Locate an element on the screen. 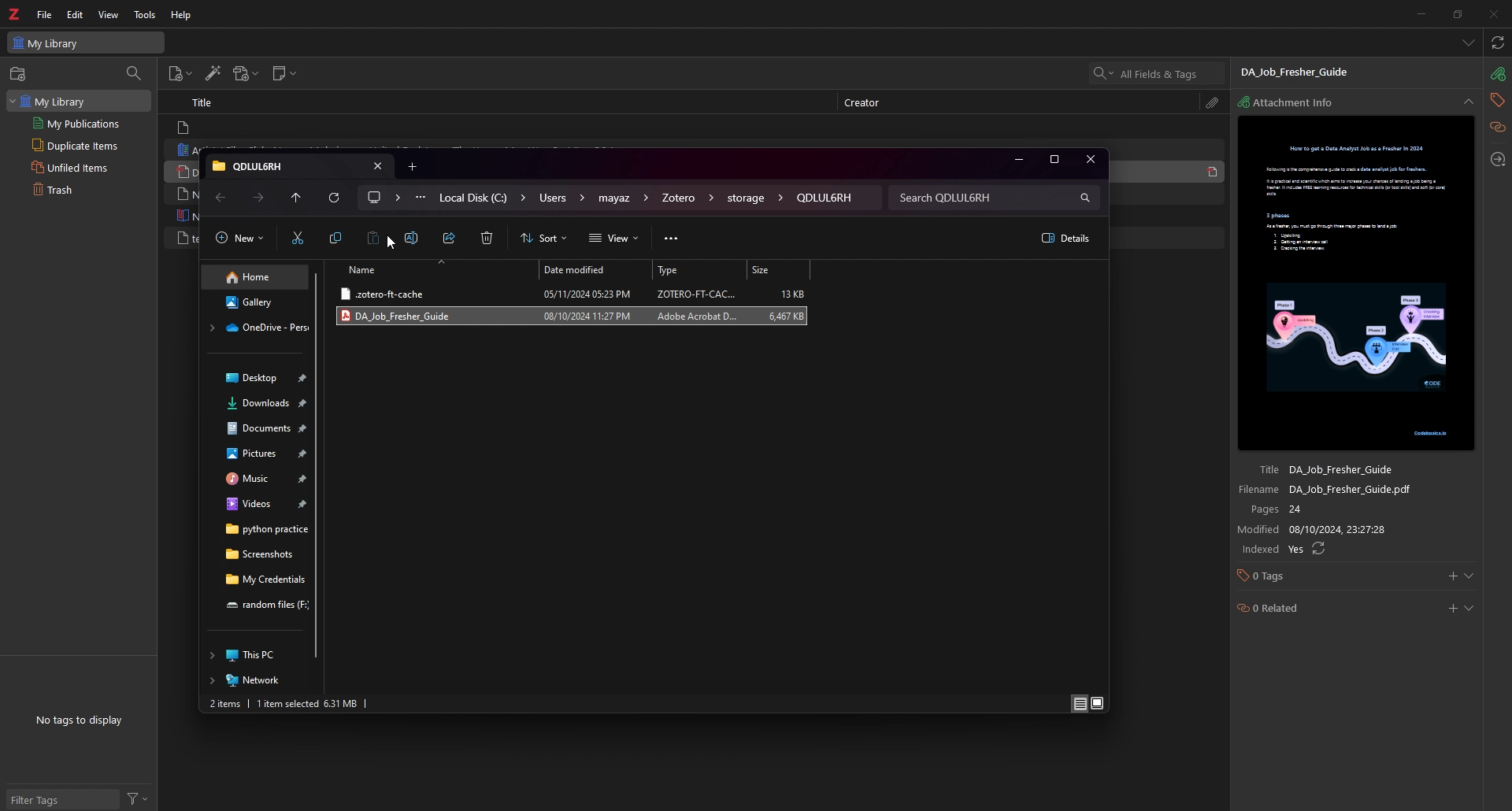 This screenshot has width=1512, height=811. recent is located at coordinates (297, 198).